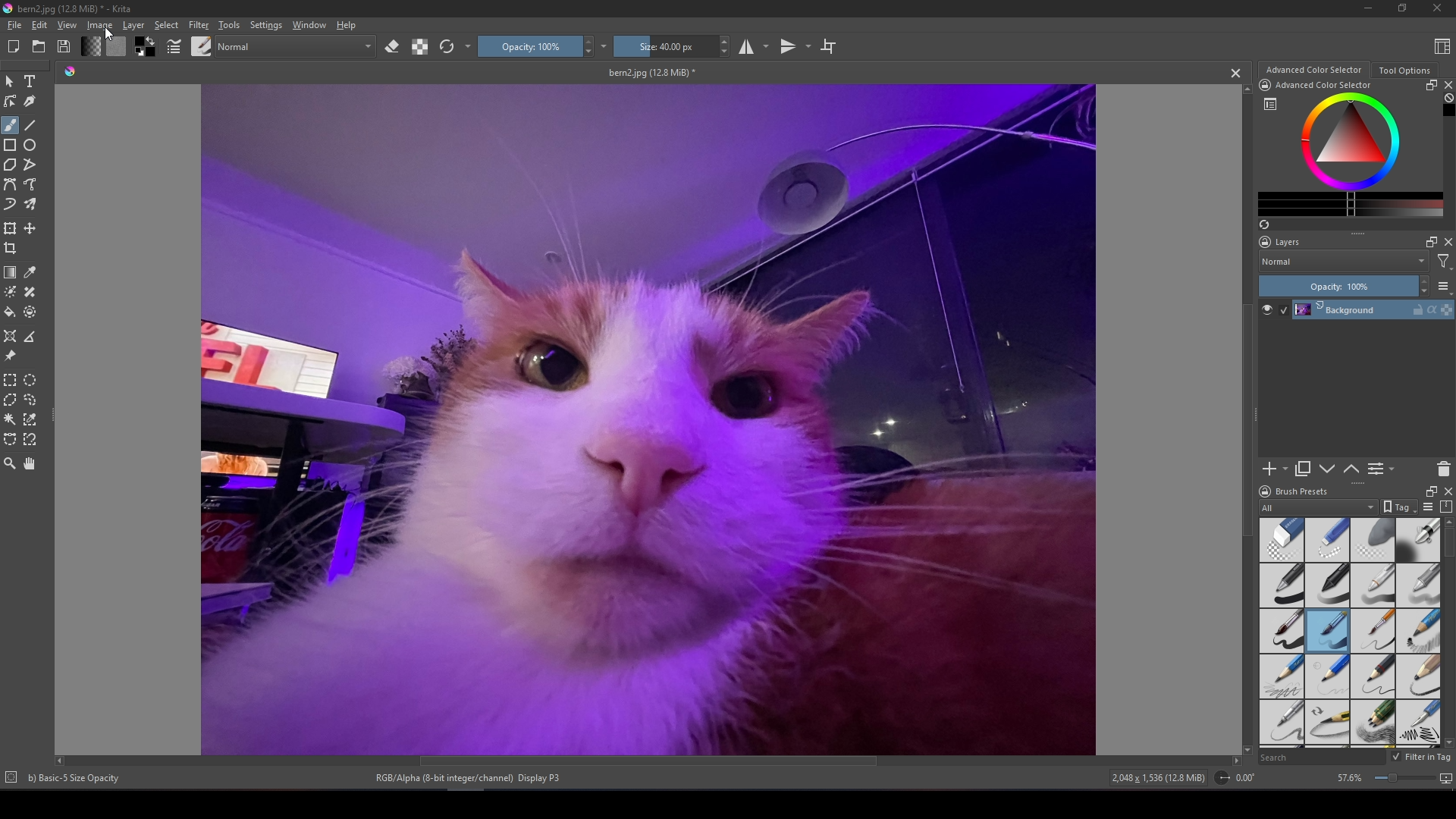 The image size is (1456, 819). Describe the element at coordinates (146, 46) in the screenshot. I see `Set background bw` at that location.